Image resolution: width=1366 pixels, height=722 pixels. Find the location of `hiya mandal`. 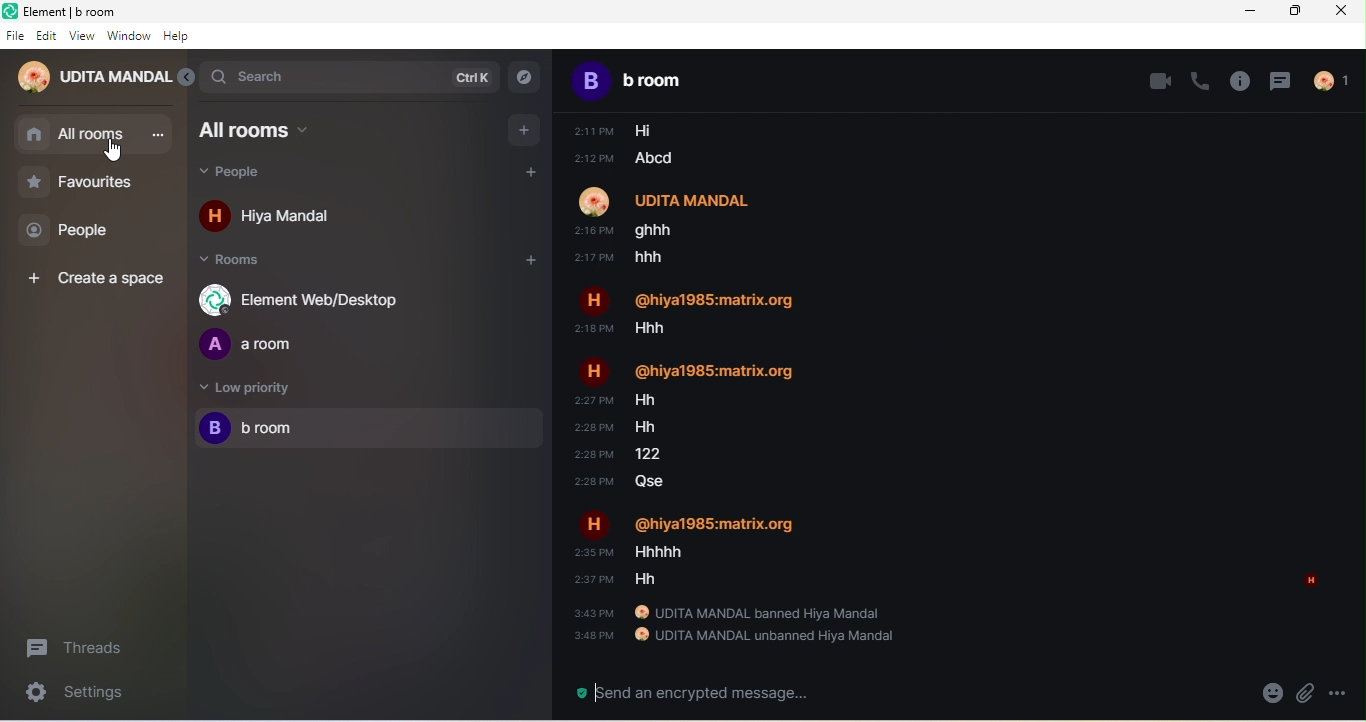

hiya mandal is located at coordinates (276, 219).